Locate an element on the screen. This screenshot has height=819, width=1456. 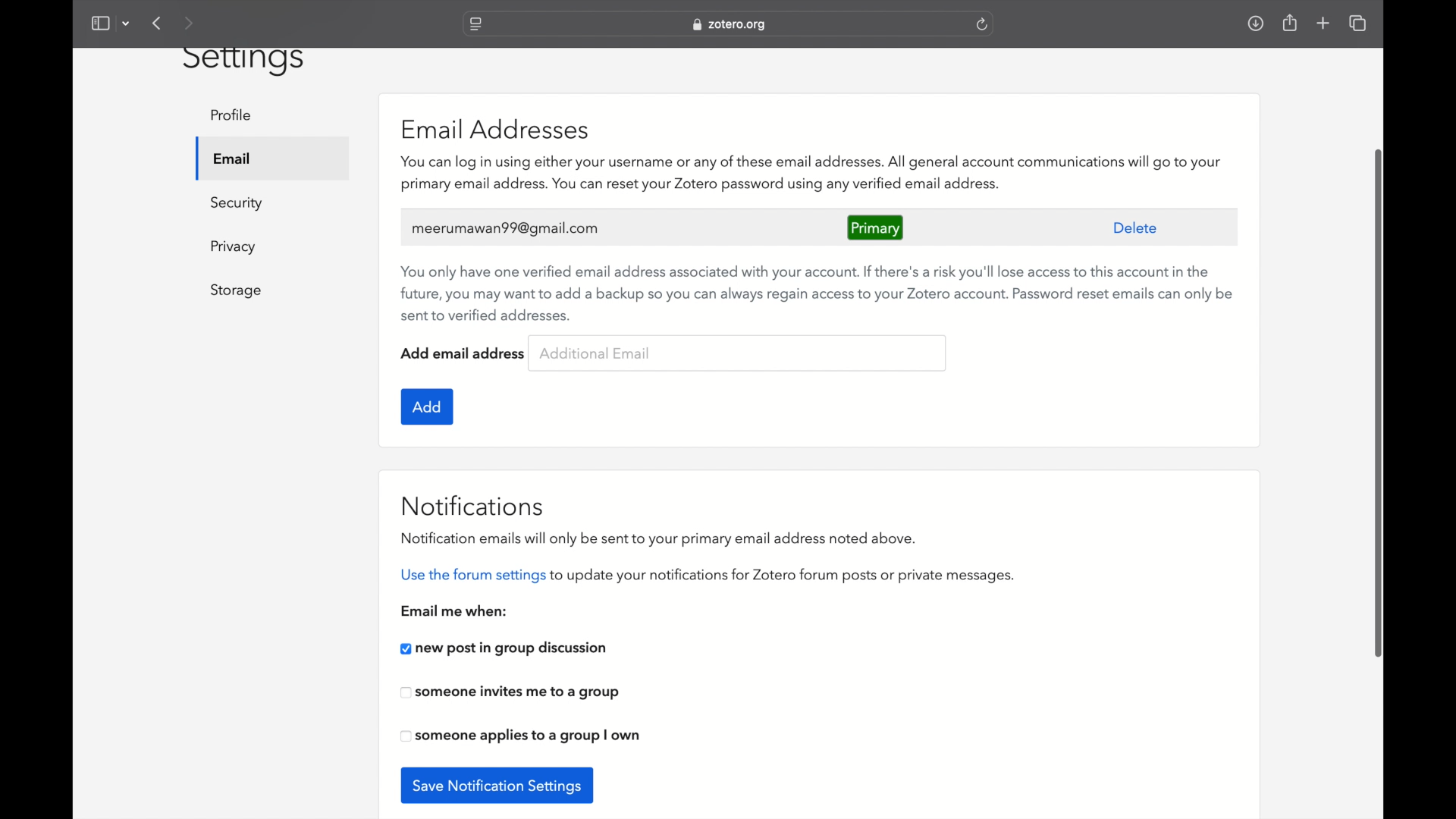
email me when: is located at coordinates (452, 611).